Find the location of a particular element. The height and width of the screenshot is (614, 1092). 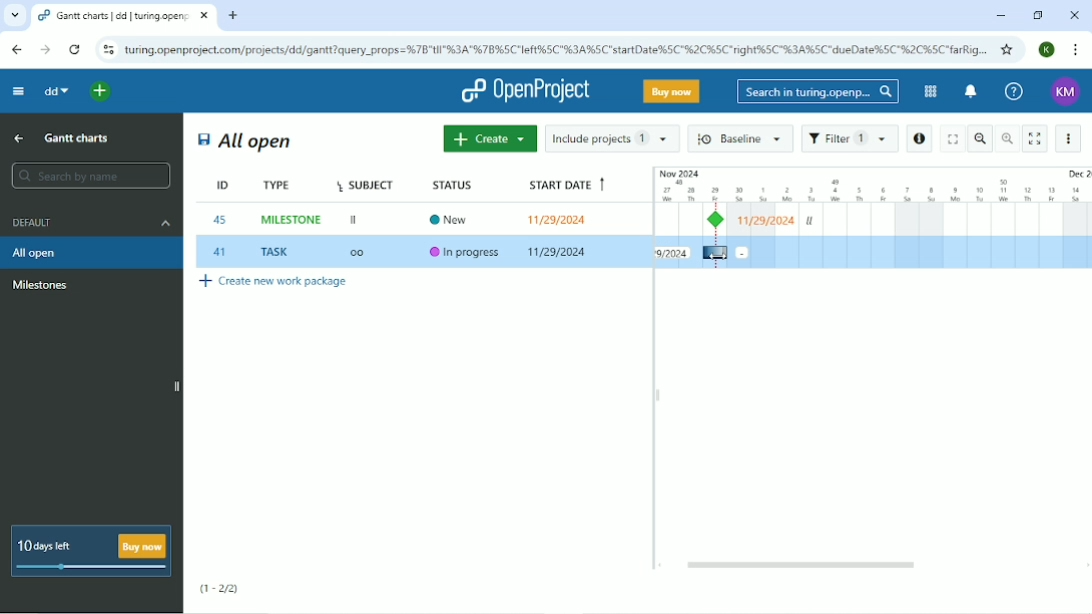

OO is located at coordinates (363, 254).